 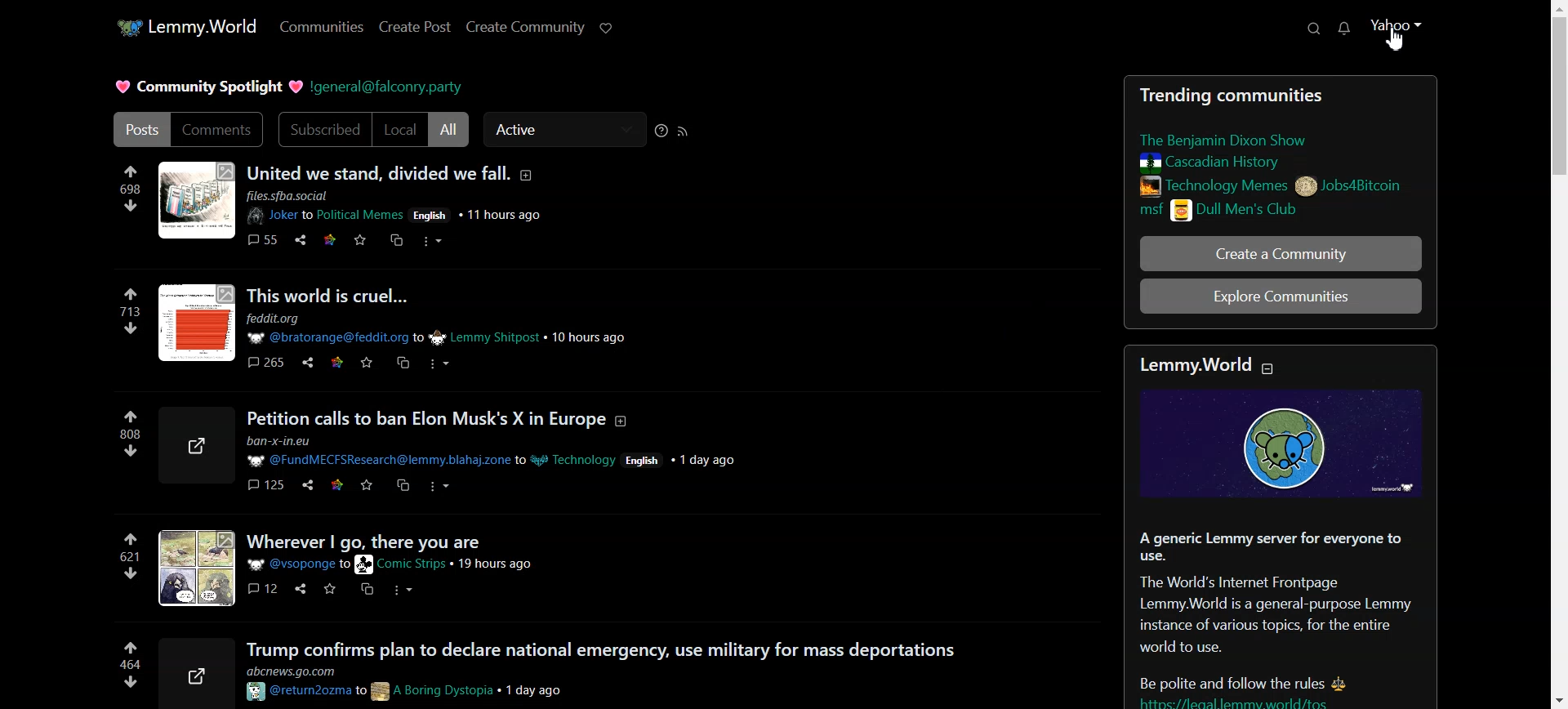 What do you see at coordinates (445, 485) in the screenshot?
I see `` at bounding box center [445, 485].